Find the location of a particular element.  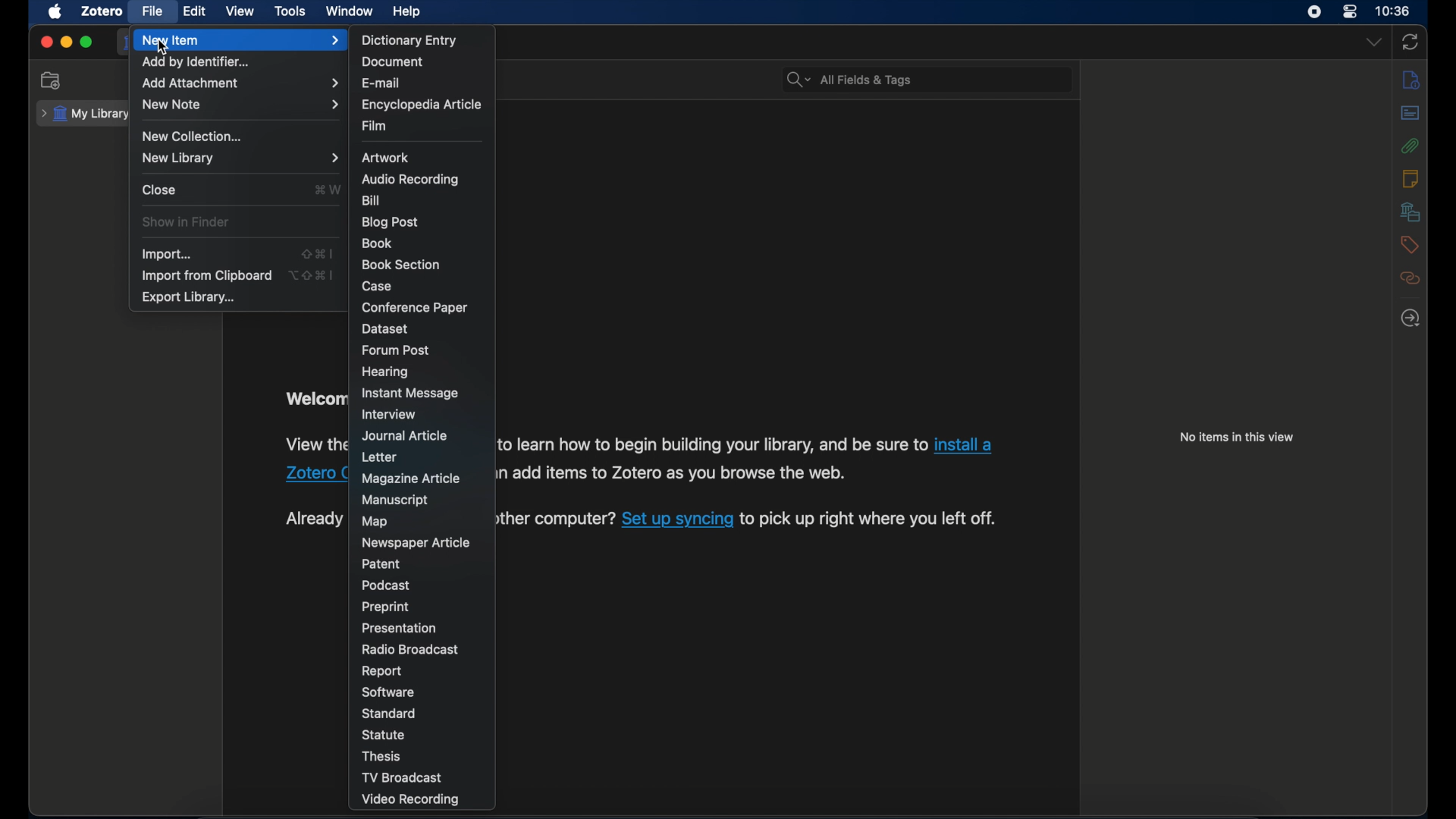

software is located at coordinates (388, 692).